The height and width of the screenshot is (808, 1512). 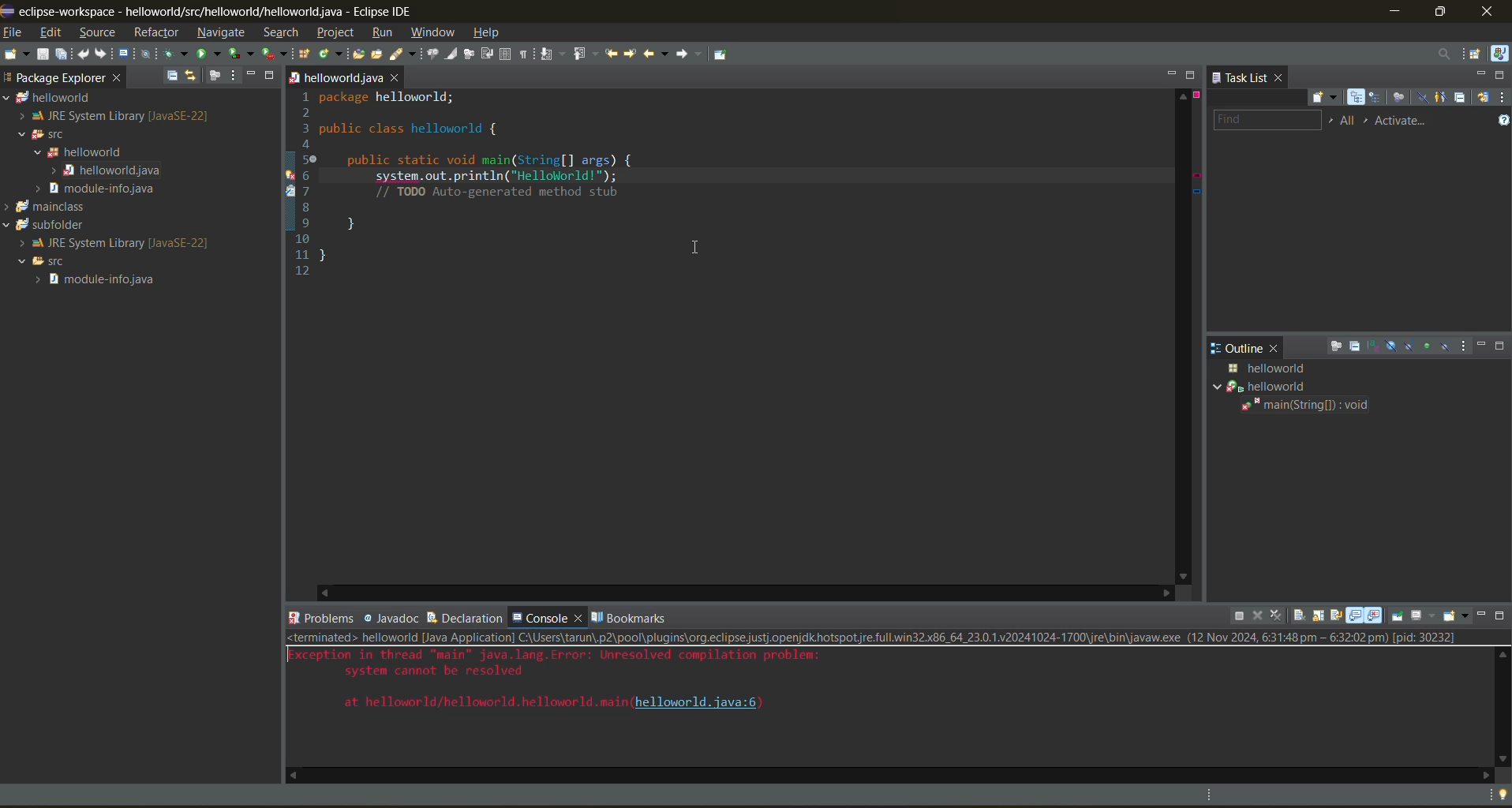 What do you see at coordinates (100, 150) in the screenshot?
I see `helloworld` at bounding box center [100, 150].